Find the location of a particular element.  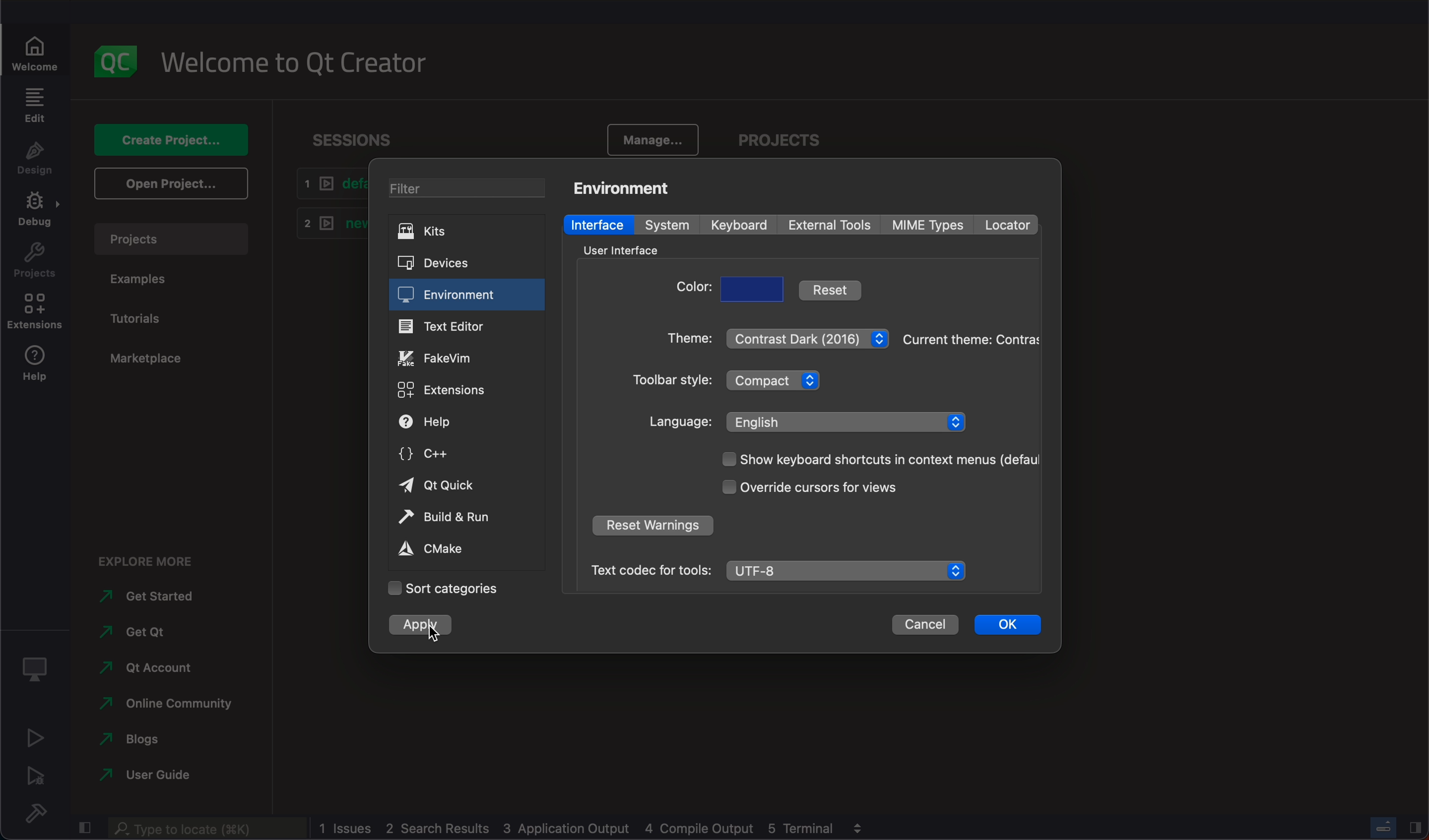

interface is located at coordinates (625, 248).